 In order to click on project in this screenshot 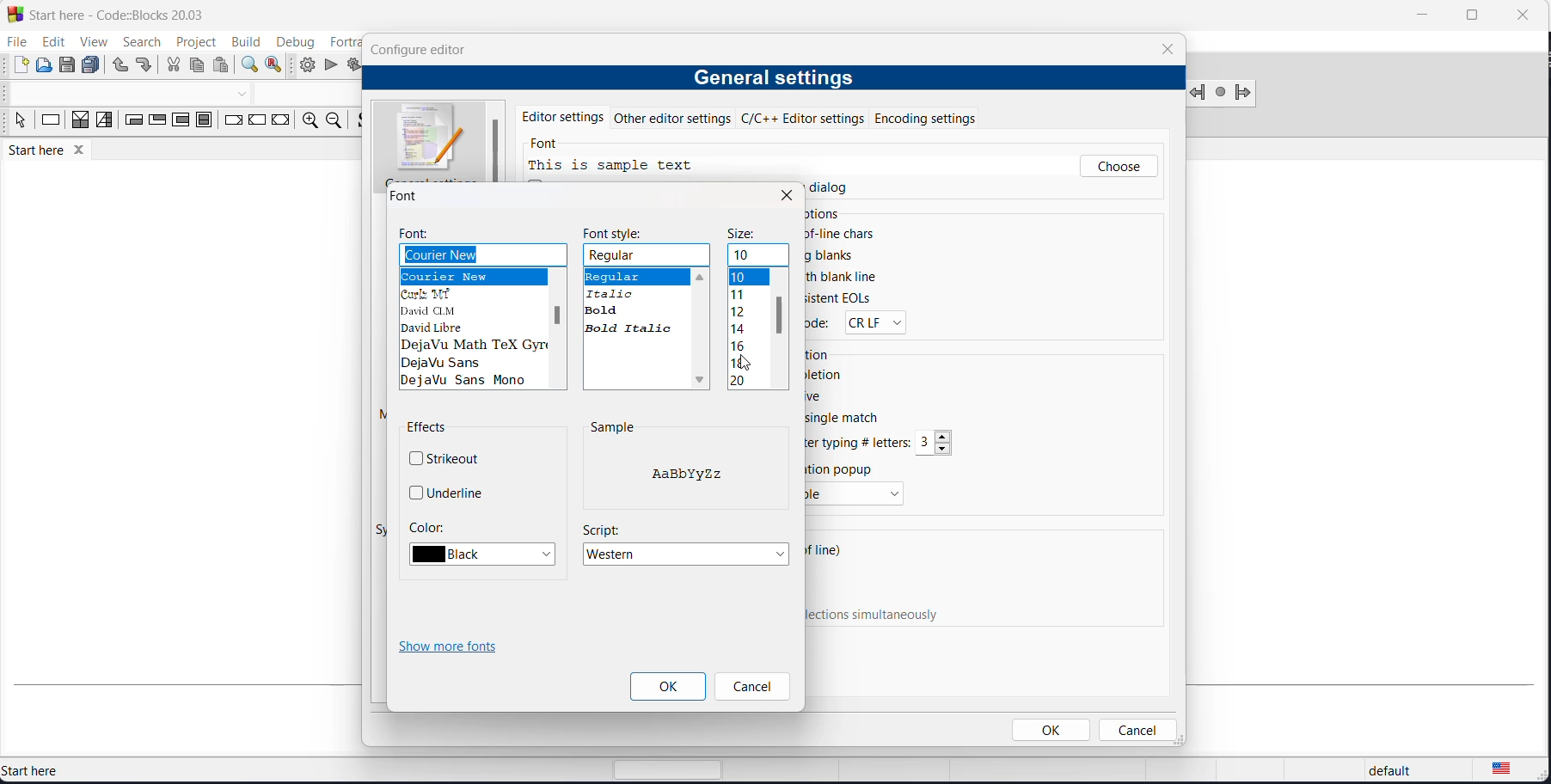, I will do `click(193, 42)`.